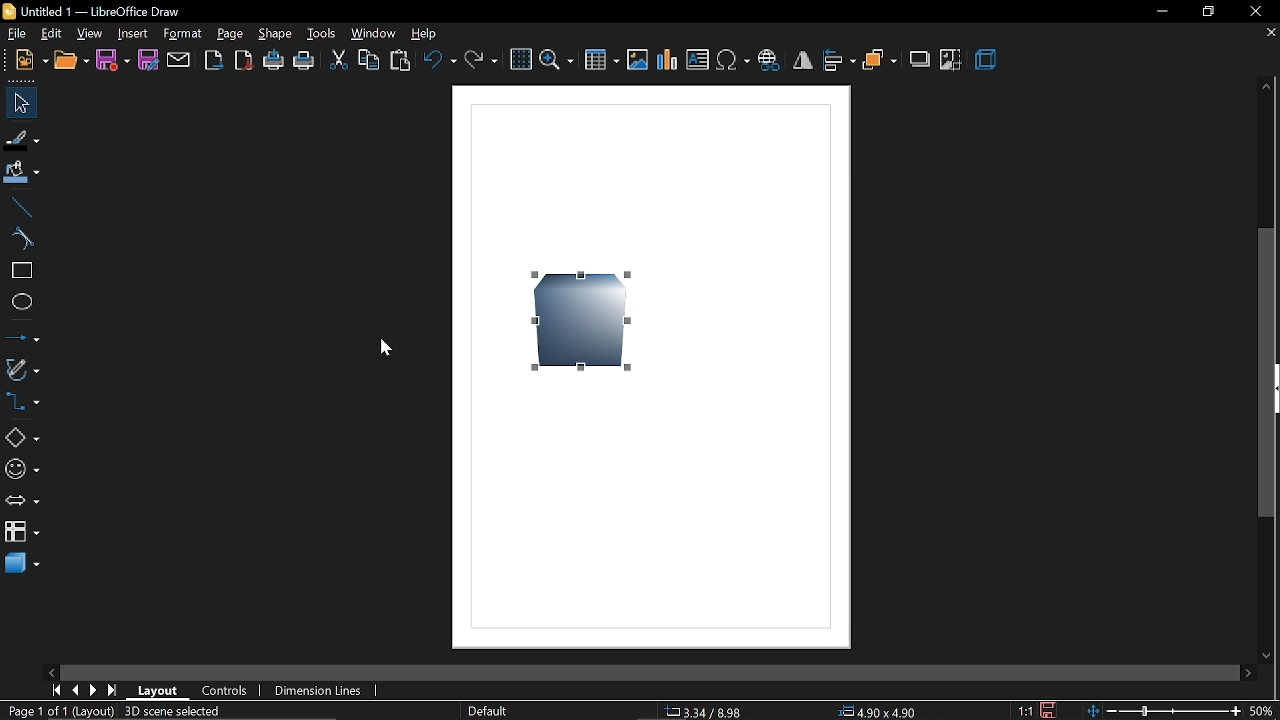 This screenshot has width=1280, height=720. Describe the element at coordinates (402, 62) in the screenshot. I see `paste` at that location.